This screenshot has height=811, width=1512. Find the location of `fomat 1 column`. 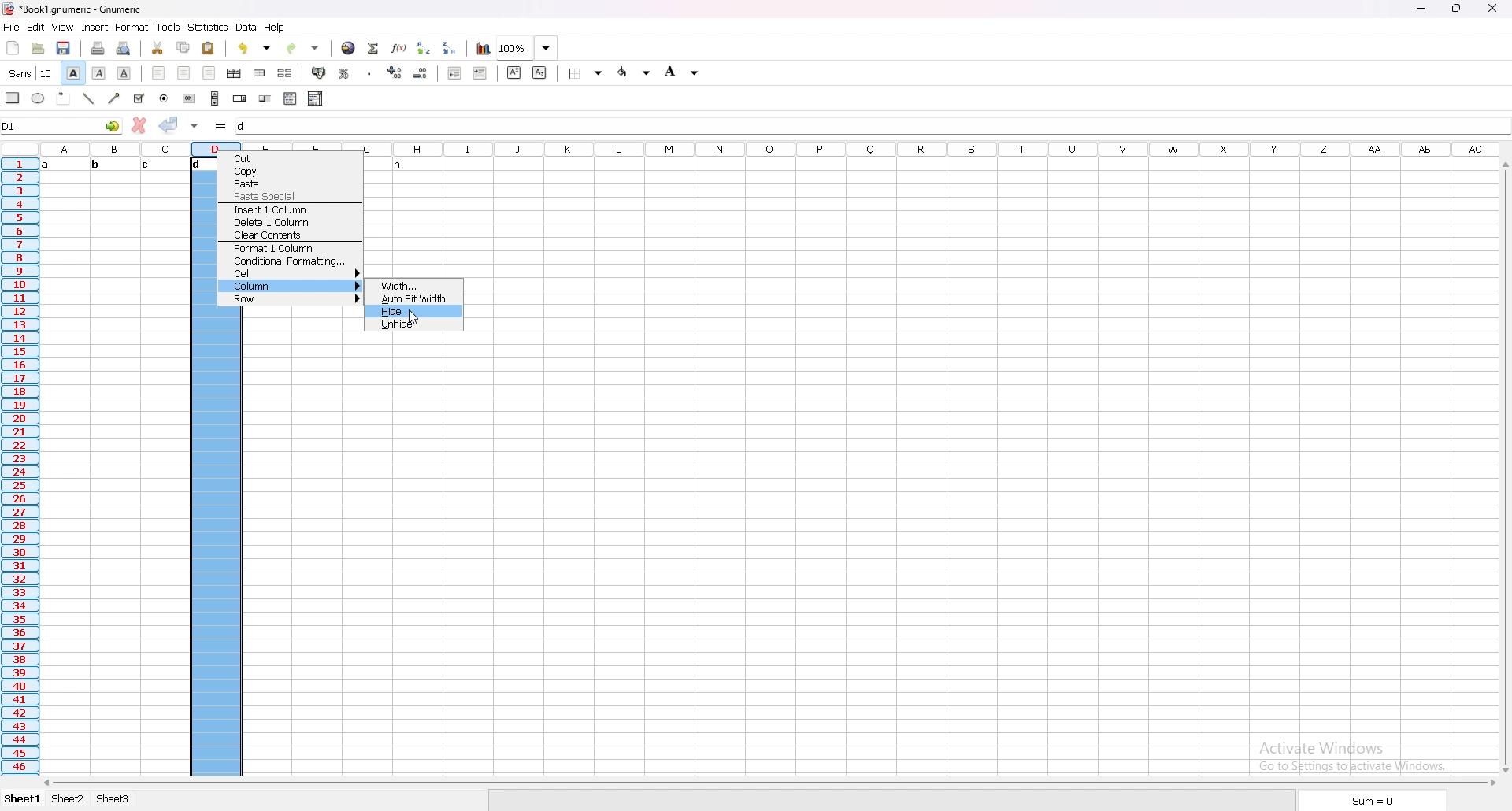

fomat 1 column is located at coordinates (290, 248).